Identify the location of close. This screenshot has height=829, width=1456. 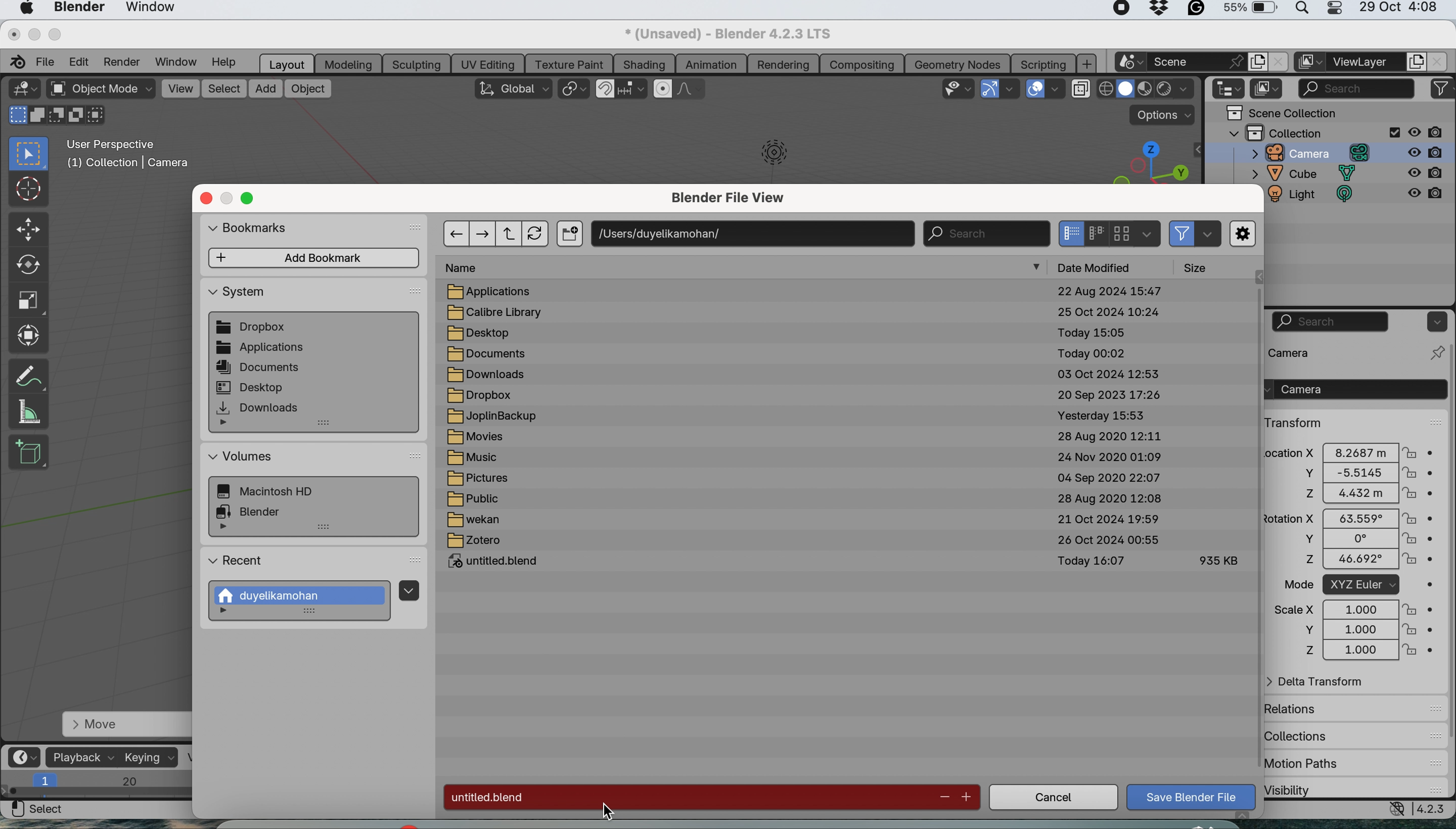
(1278, 62).